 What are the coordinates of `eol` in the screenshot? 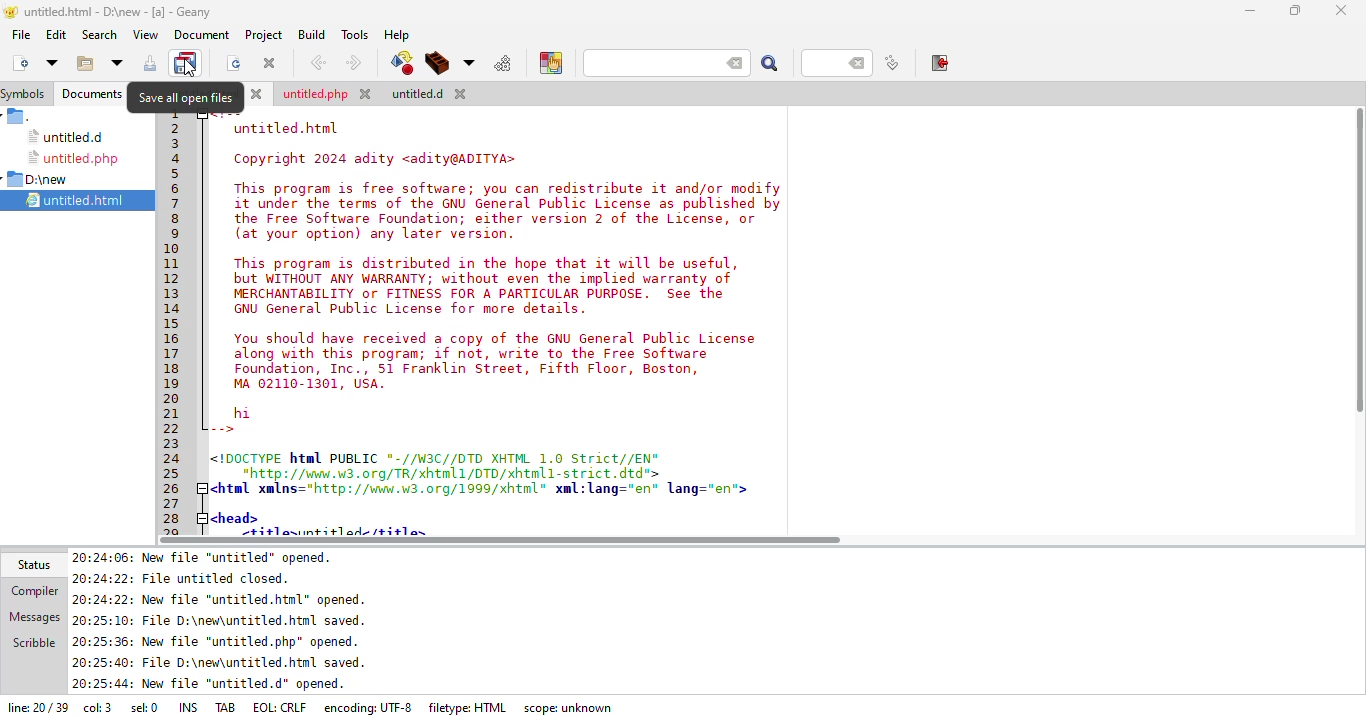 It's located at (278, 707).